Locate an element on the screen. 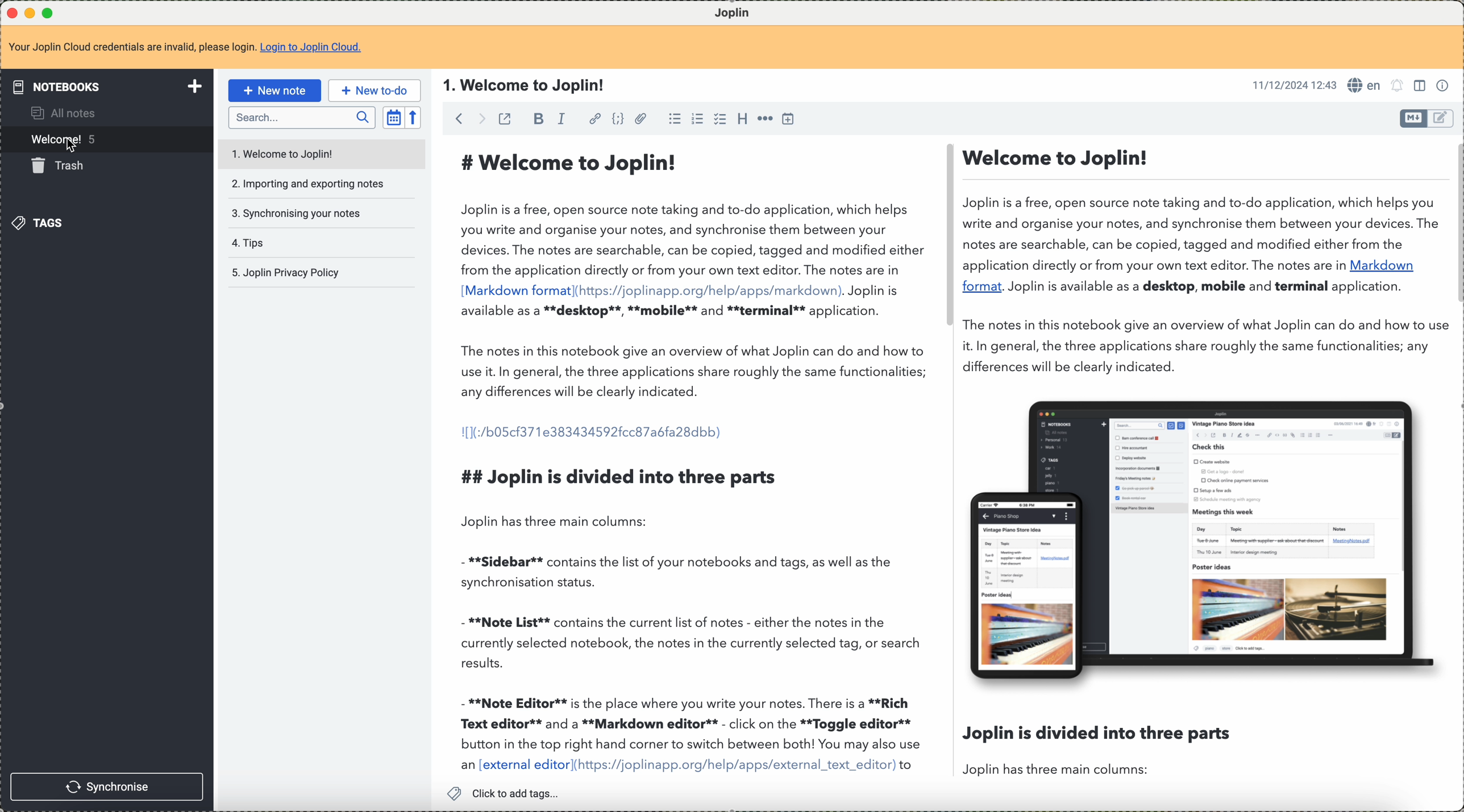  minimize Joplin is located at coordinates (30, 14).